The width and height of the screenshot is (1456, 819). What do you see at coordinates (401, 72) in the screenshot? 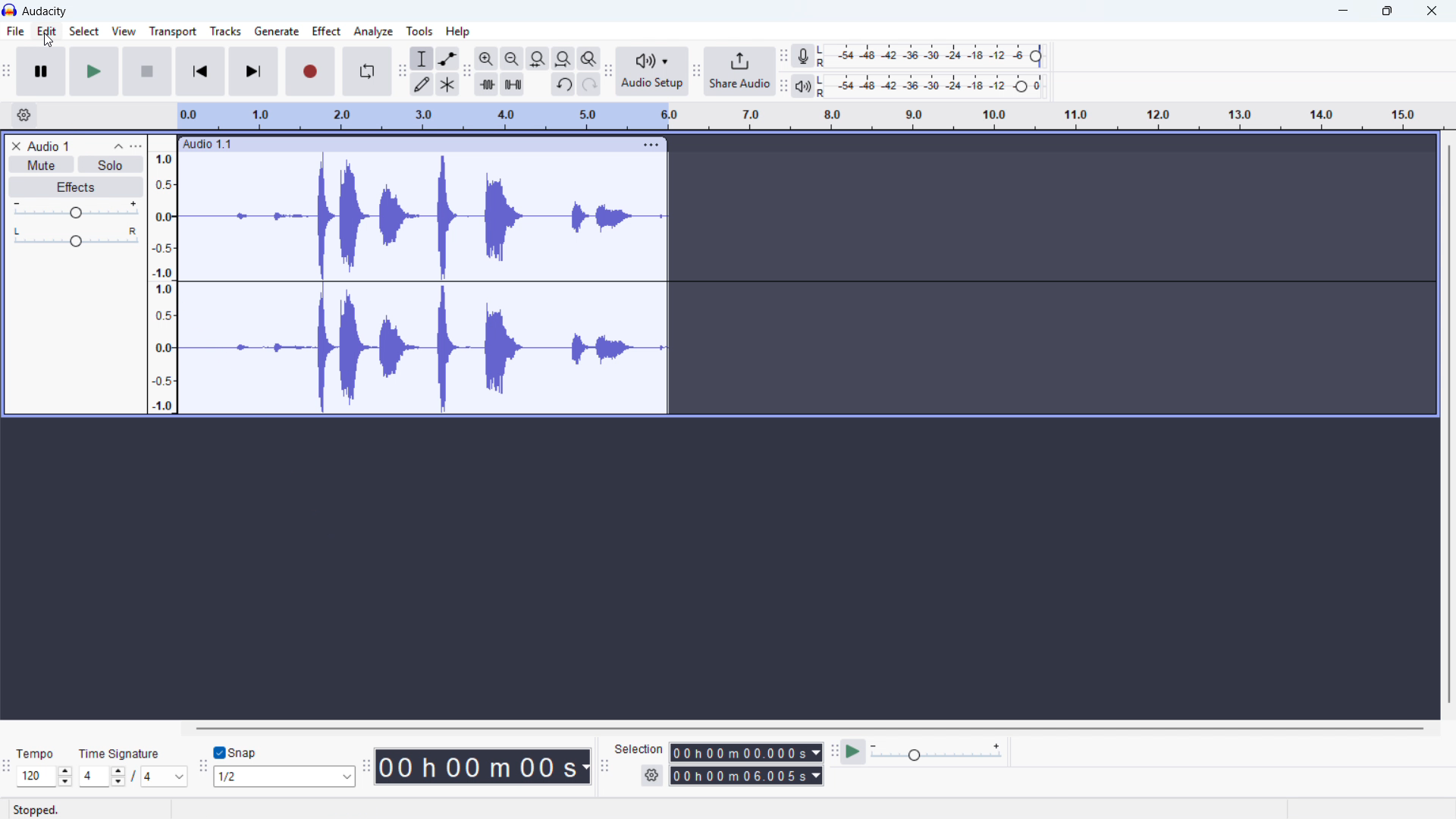
I see `tools toolbar` at bounding box center [401, 72].